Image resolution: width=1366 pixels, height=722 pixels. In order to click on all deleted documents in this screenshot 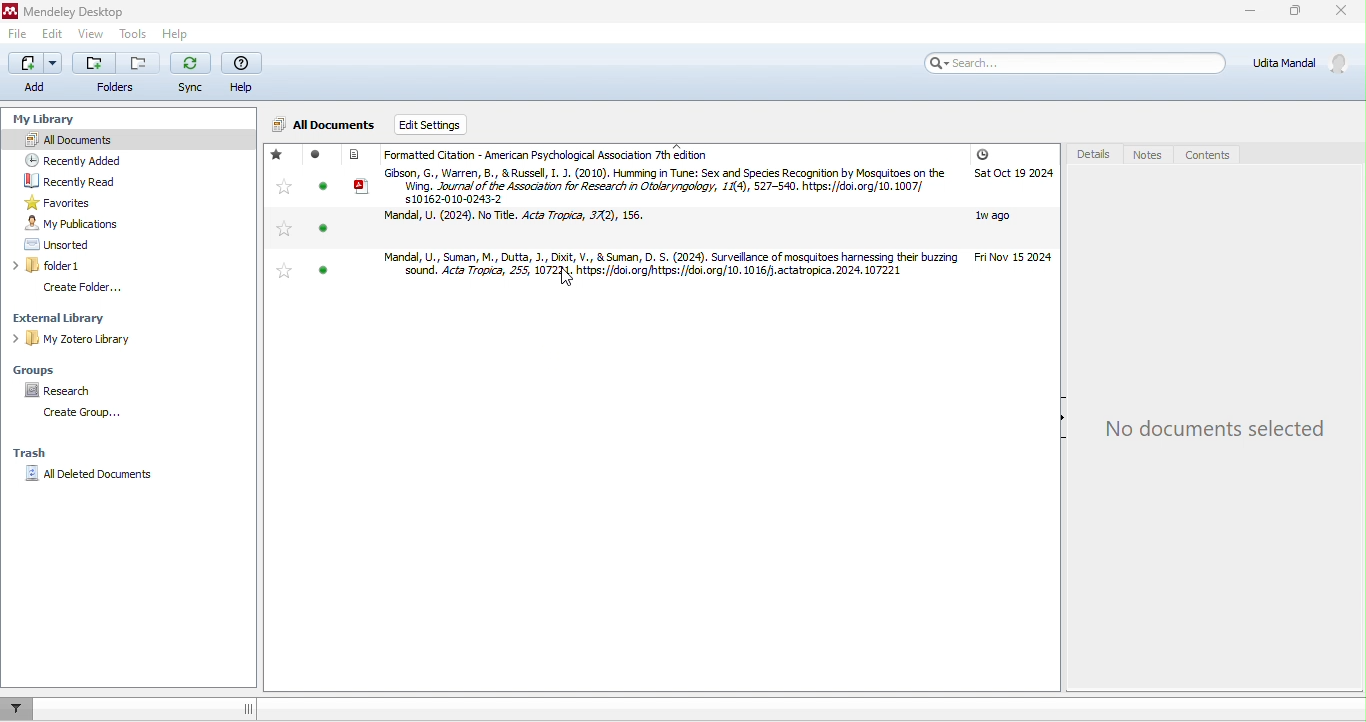, I will do `click(100, 477)`.